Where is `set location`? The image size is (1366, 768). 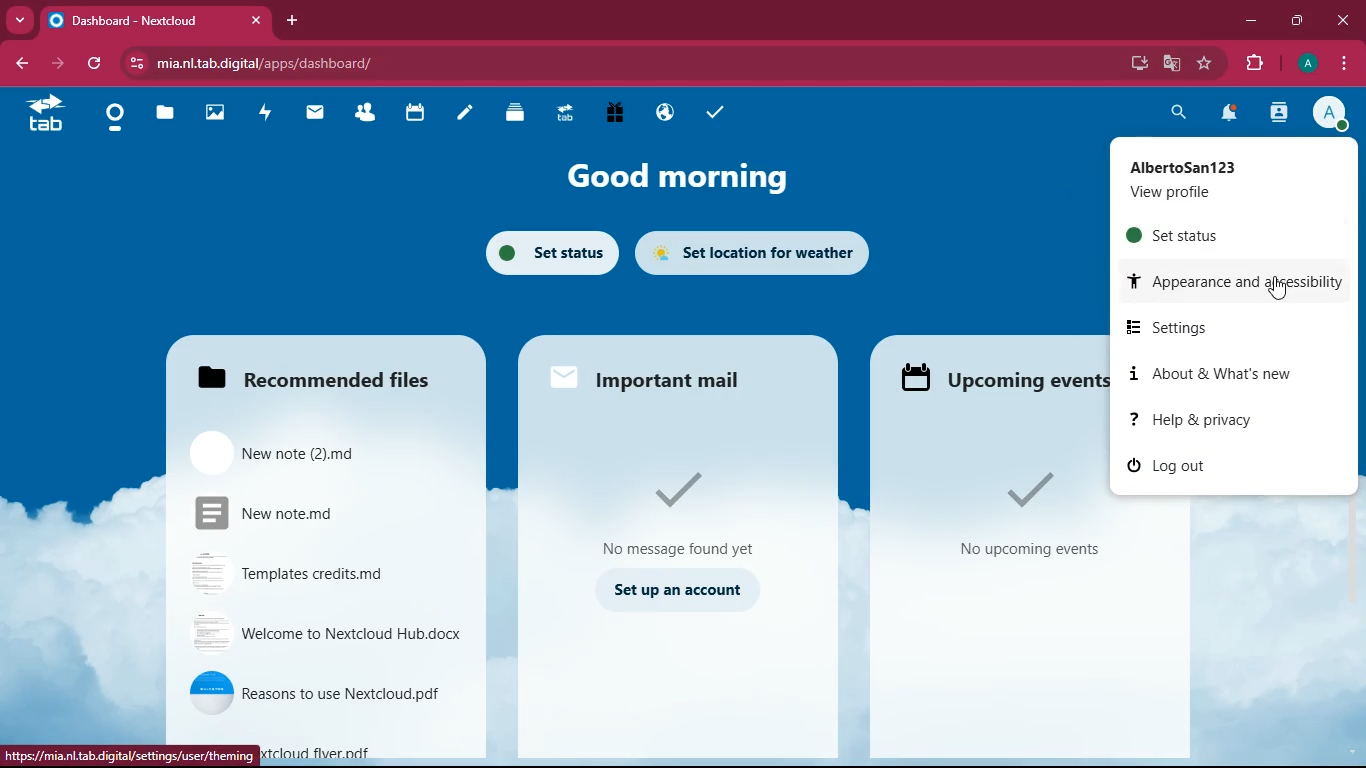 set location is located at coordinates (753, 252).